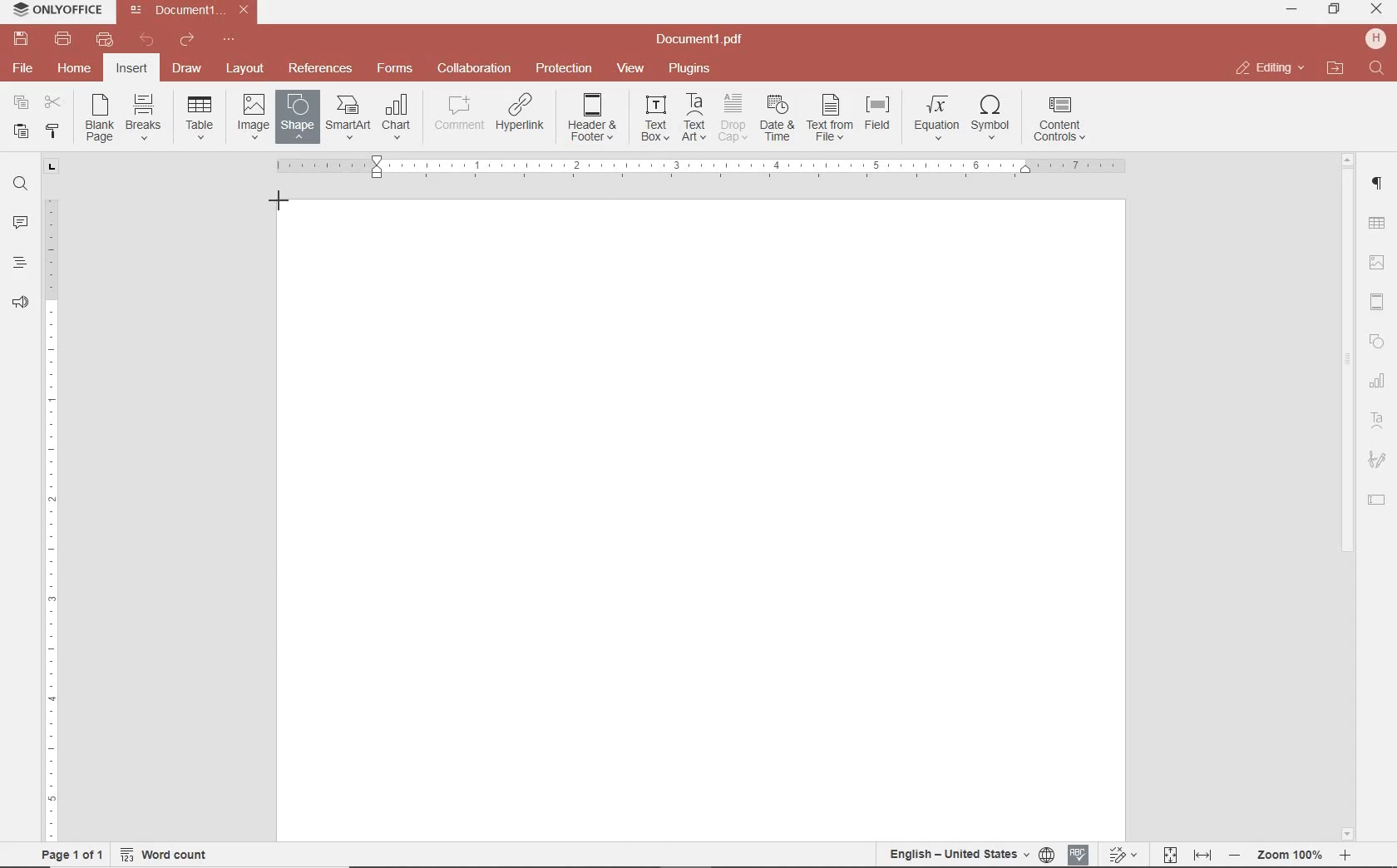 This screenshot has width=1397, height=868. I want to click on TEXT ART, so click(1378, 422).